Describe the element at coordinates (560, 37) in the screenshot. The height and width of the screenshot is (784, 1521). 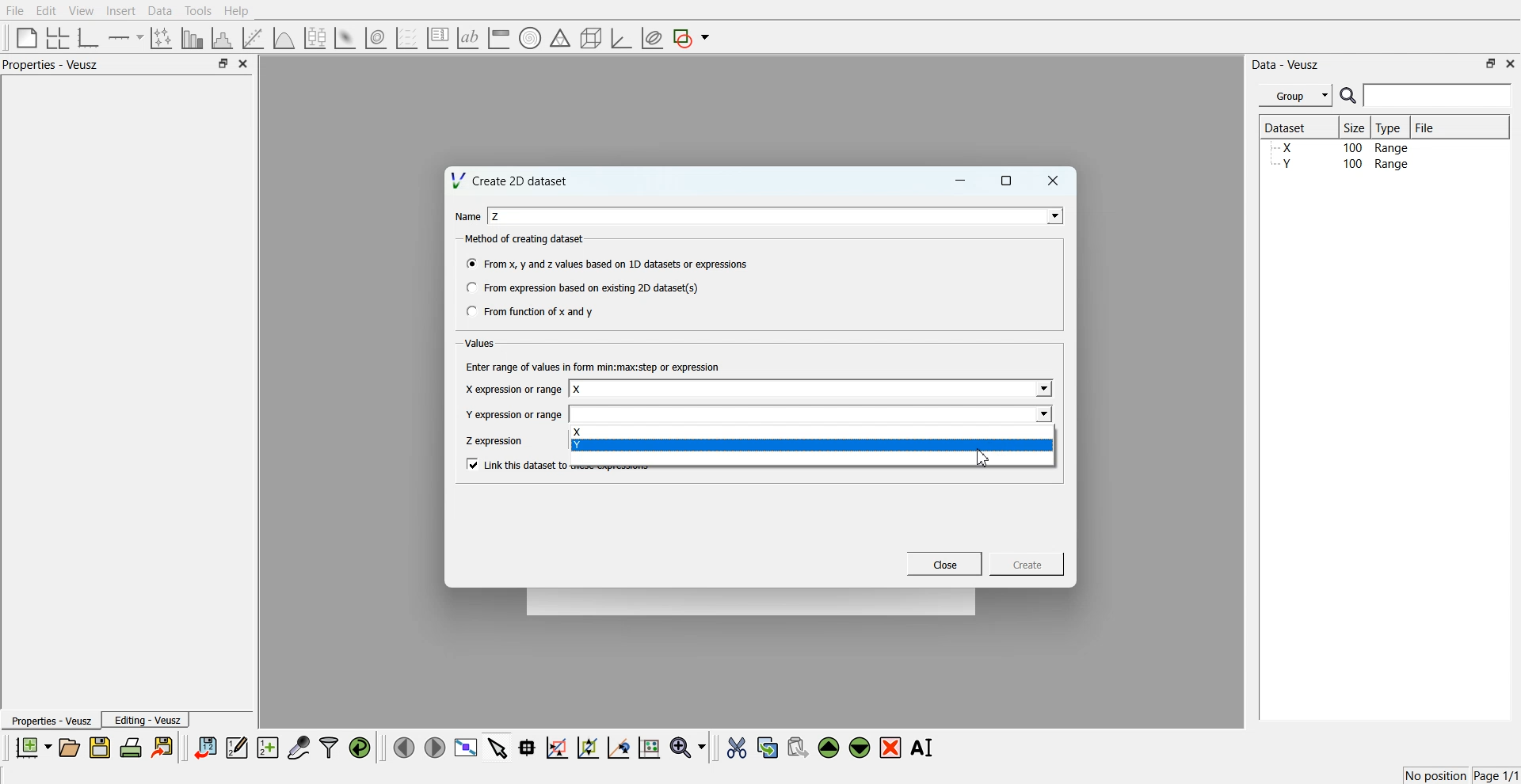
I see `Ternary Graph` at that location.